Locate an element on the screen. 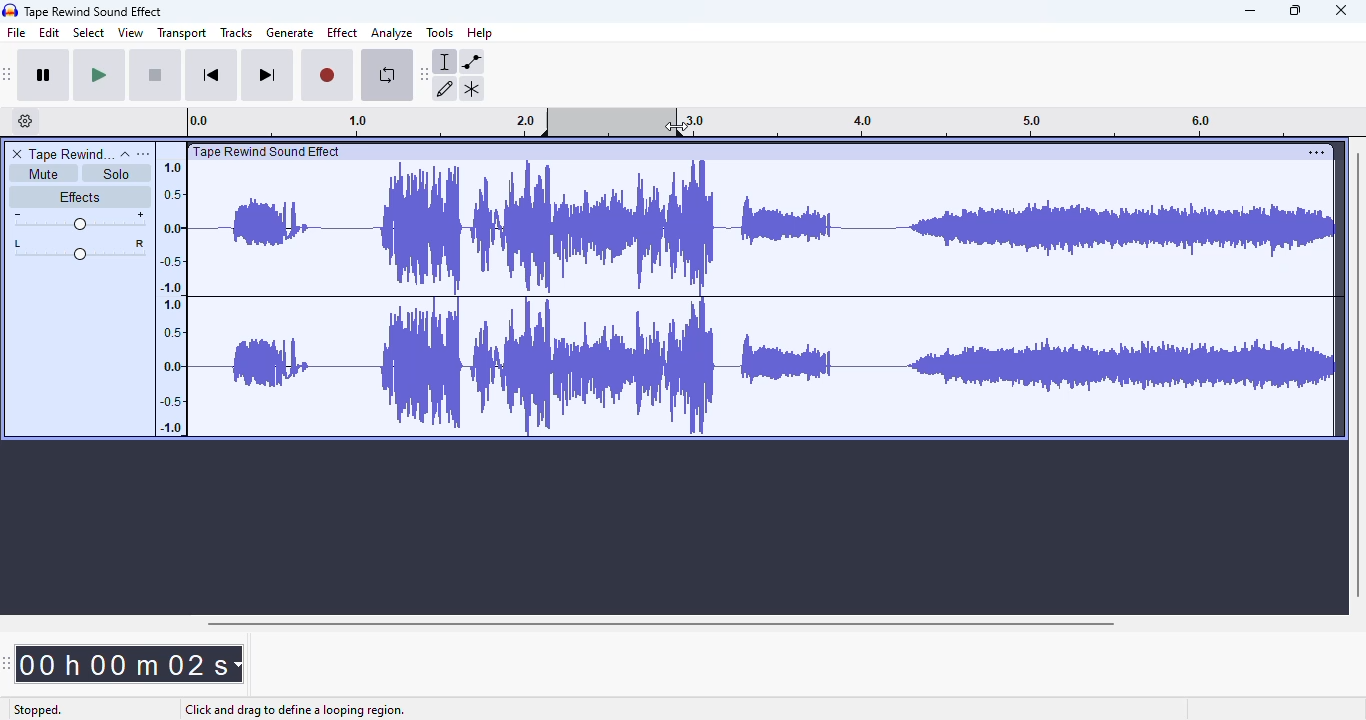  delete track is located at coordinates (17, 153).